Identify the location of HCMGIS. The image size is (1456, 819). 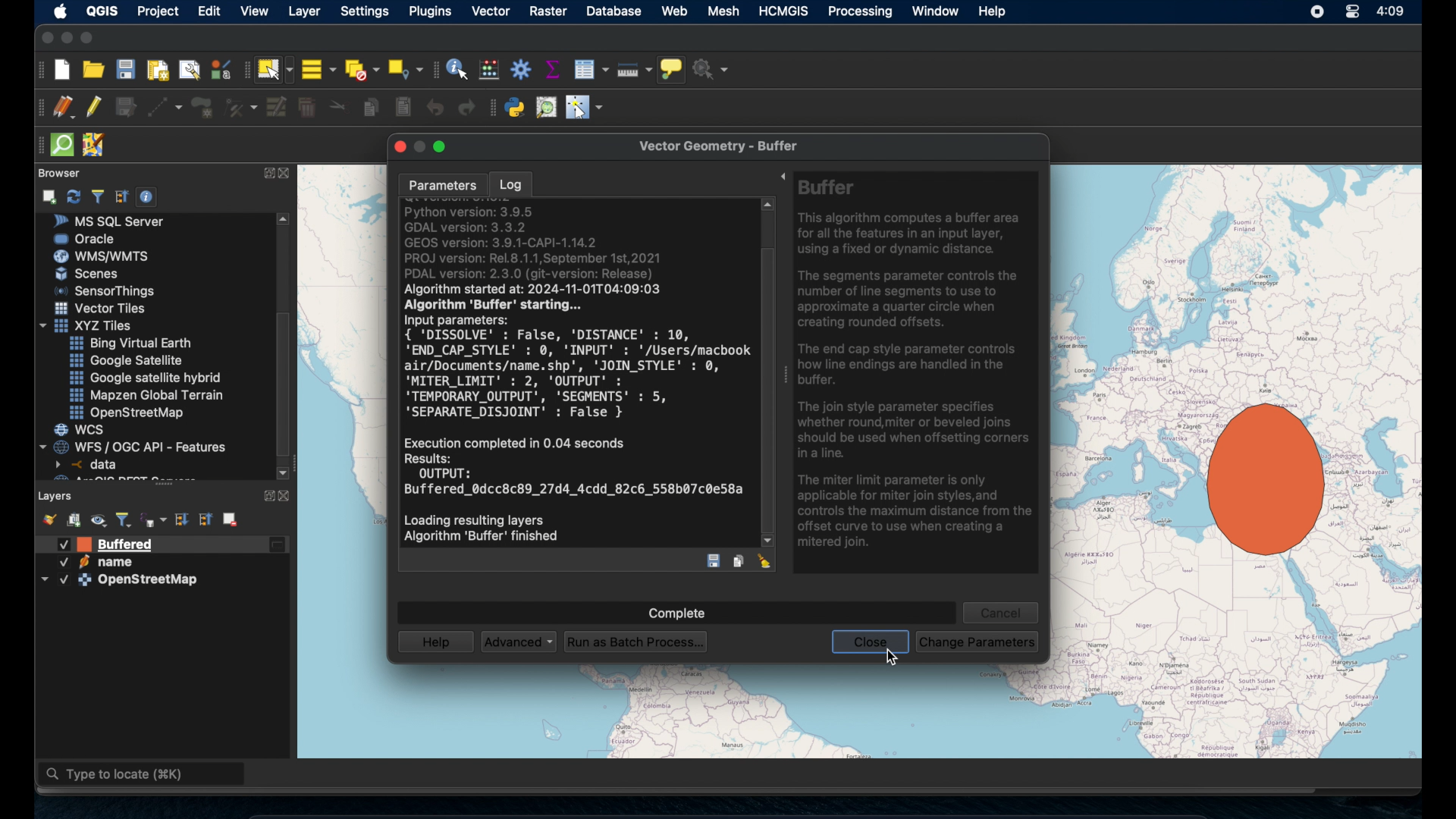
(786, 11).